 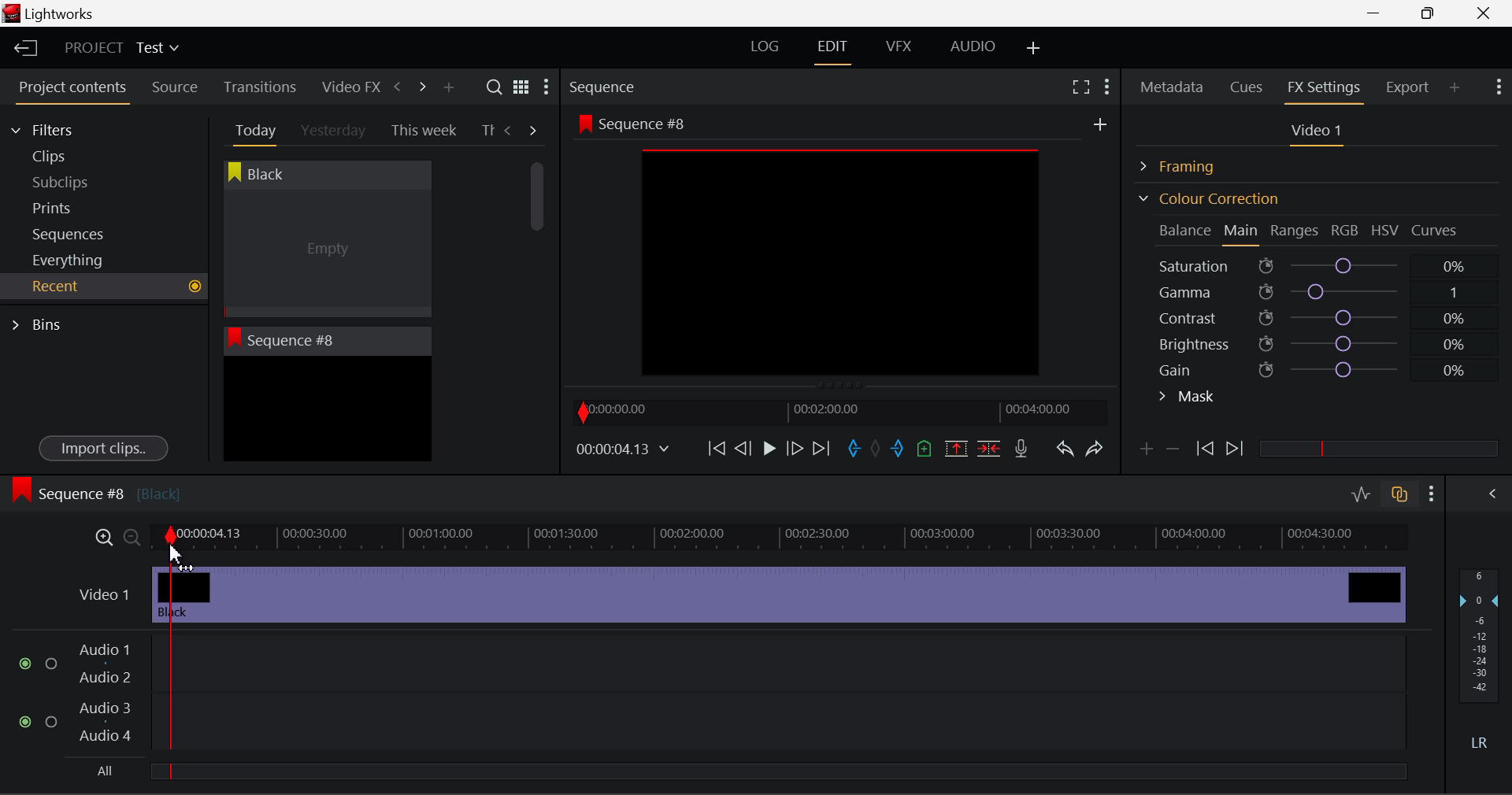 I want to click on Back to Homepage, so click(x=20, y=49).